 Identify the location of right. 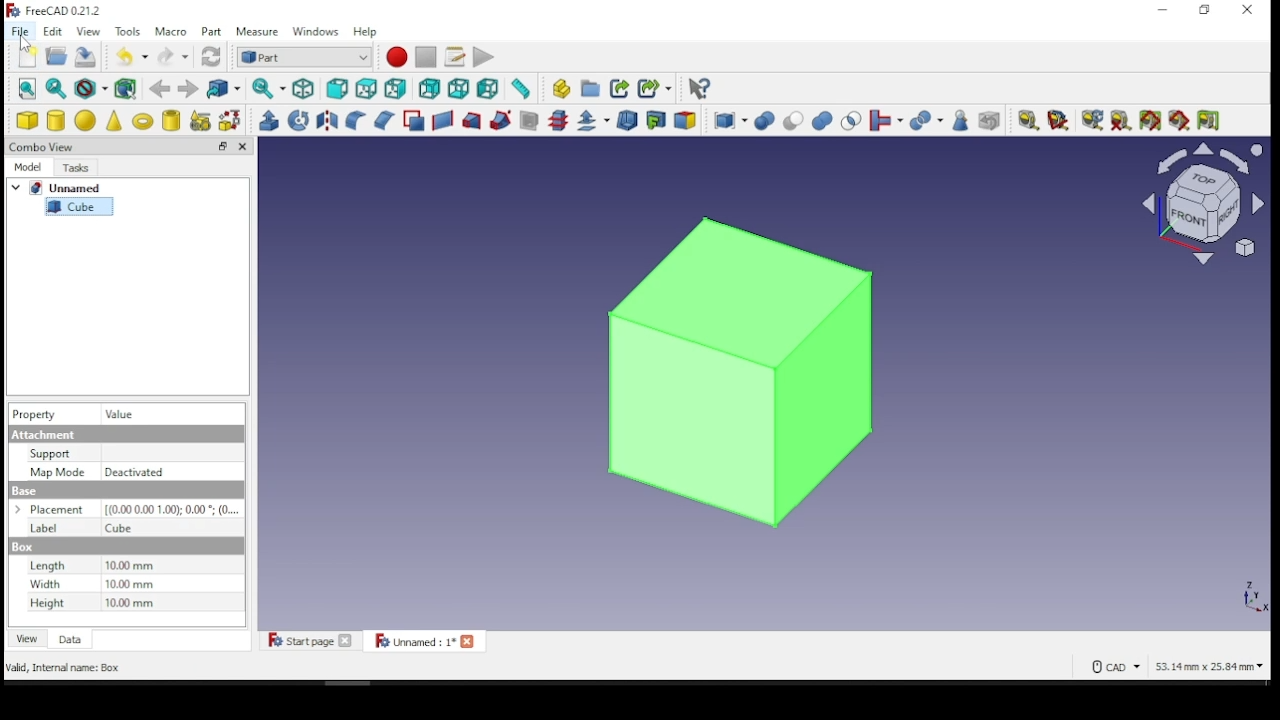
(397, 88).